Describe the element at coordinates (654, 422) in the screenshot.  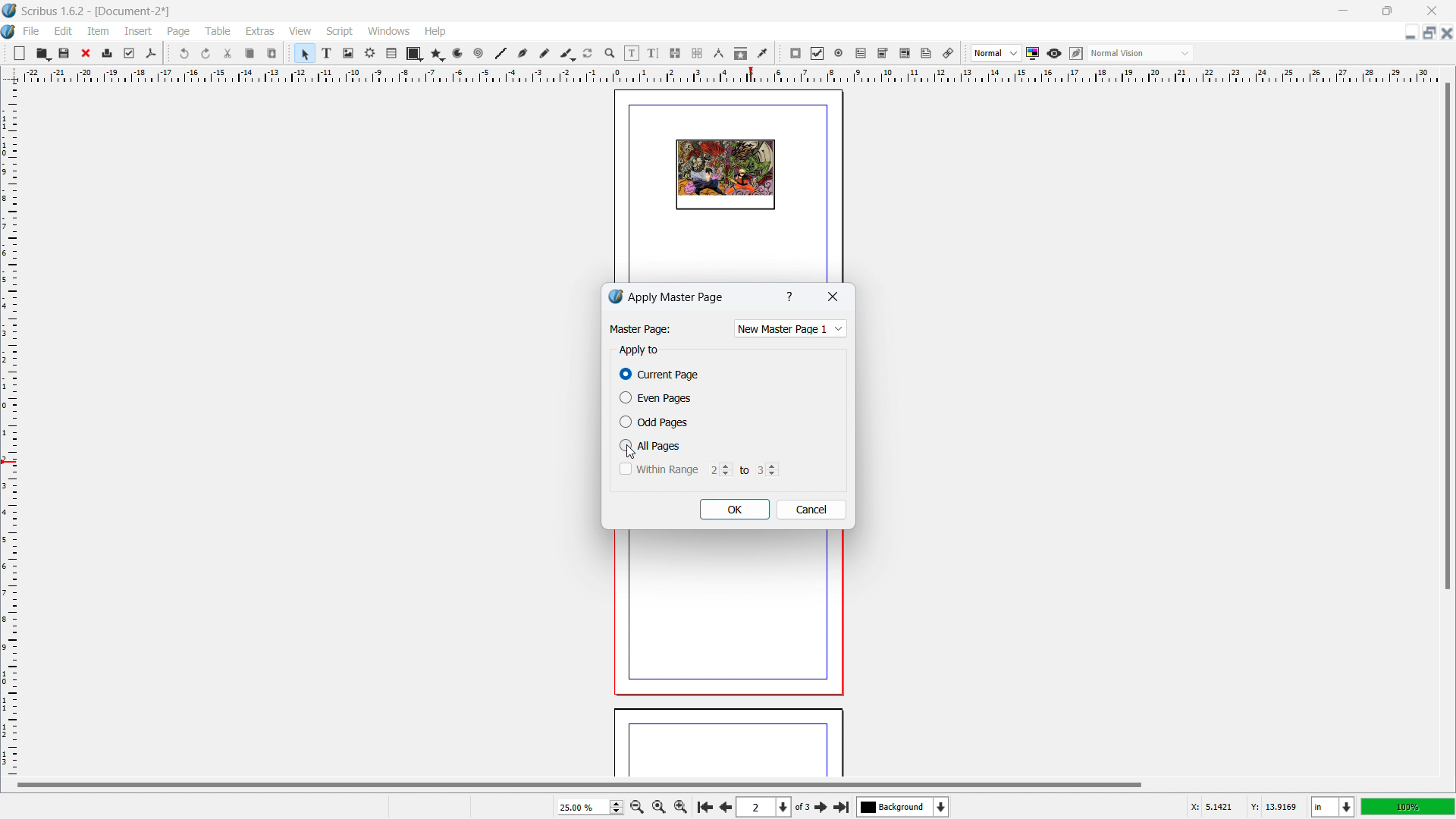
I see `odd pages checkbox` at that location.